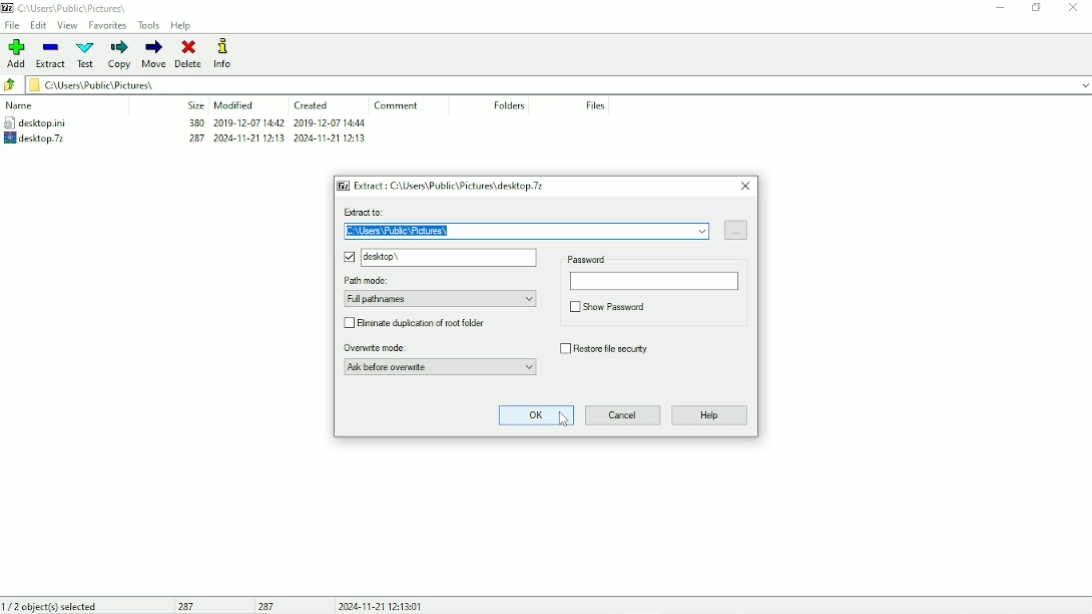 The width and height of the screenshot is (1092, 614). Describe the element at coordinates (68, 26) in the screenshot. I see `View` at that location.